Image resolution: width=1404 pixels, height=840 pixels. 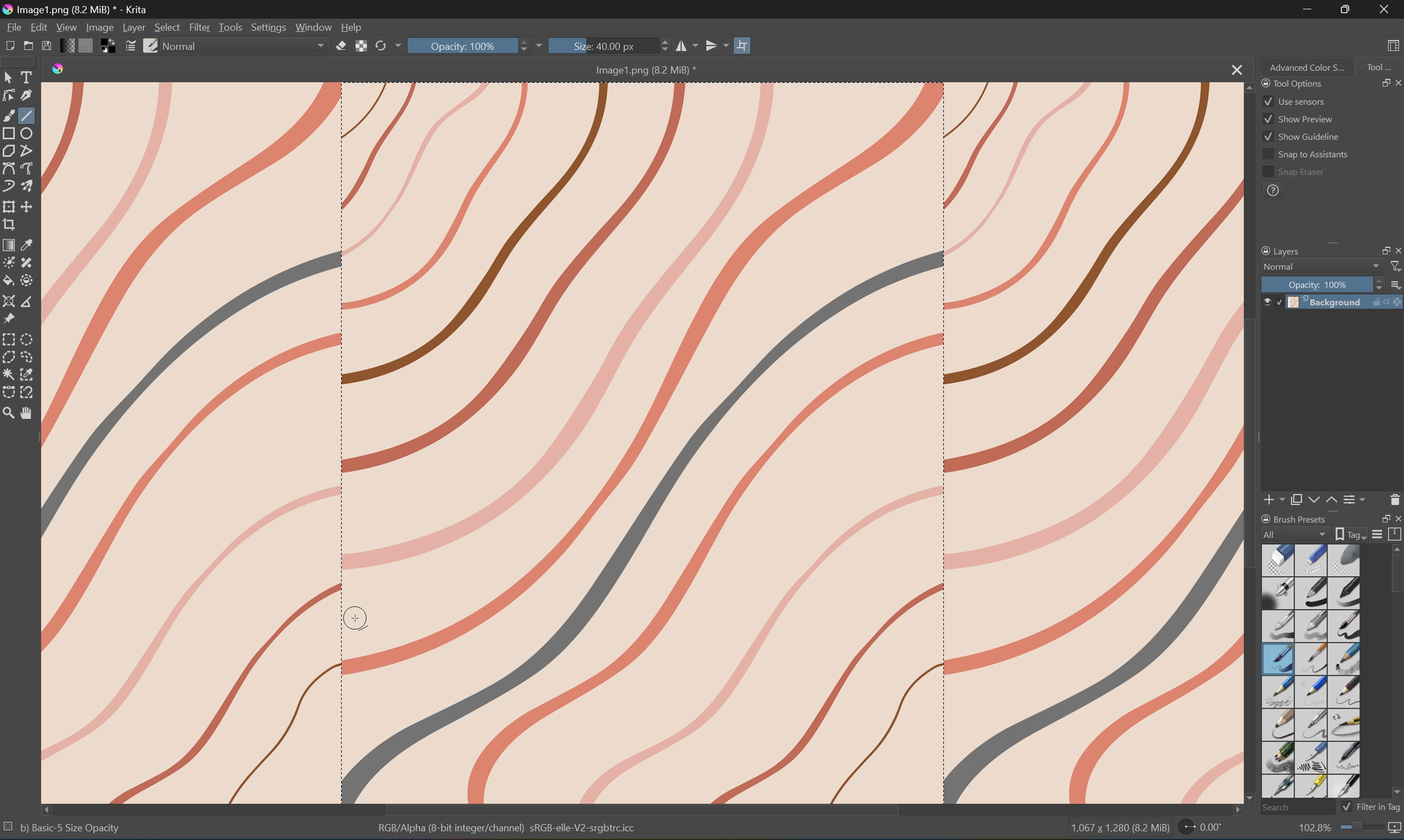 I want to click on Size: 40.00px, so click(x=602, y=46).